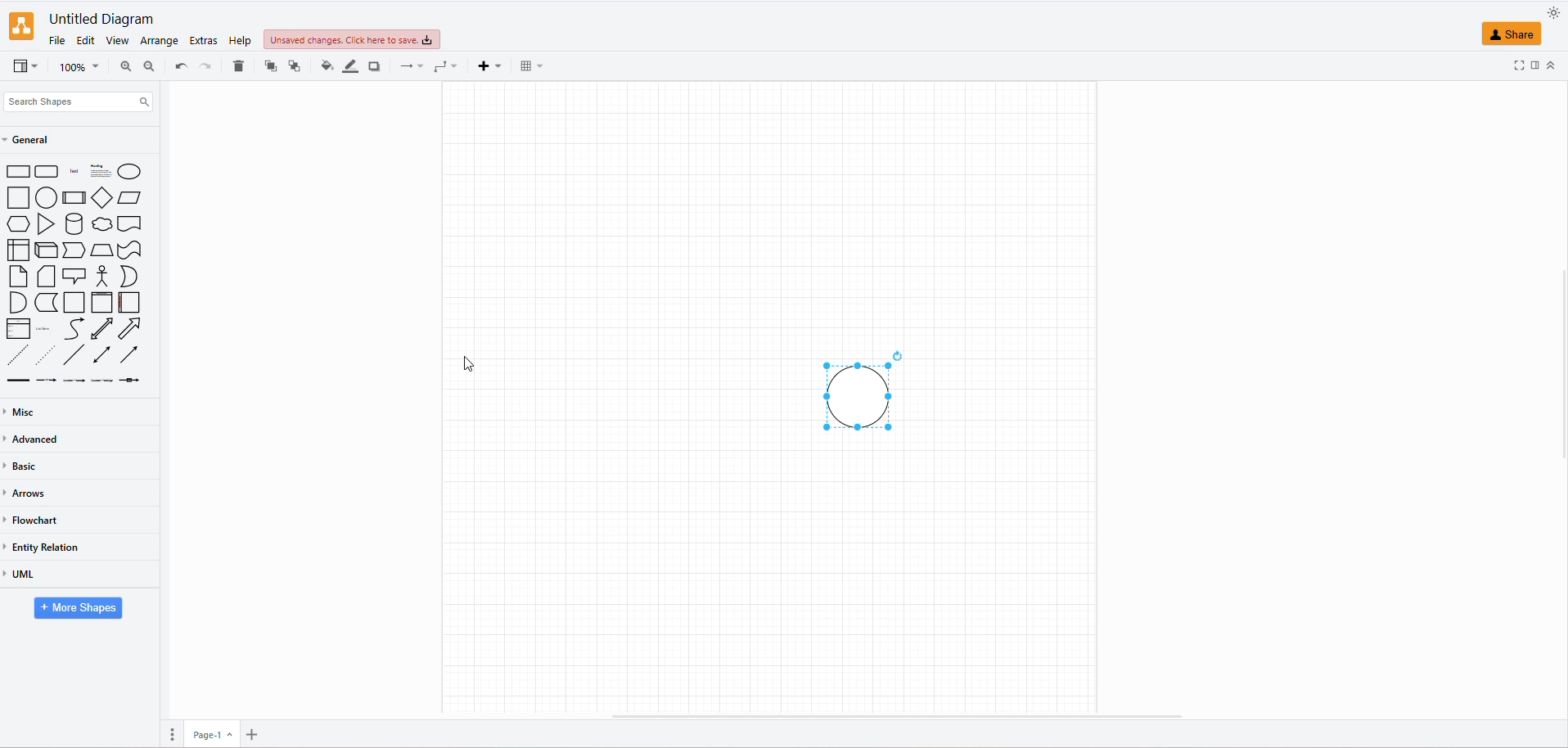  I want to click on INSERT, so click(487, 67).